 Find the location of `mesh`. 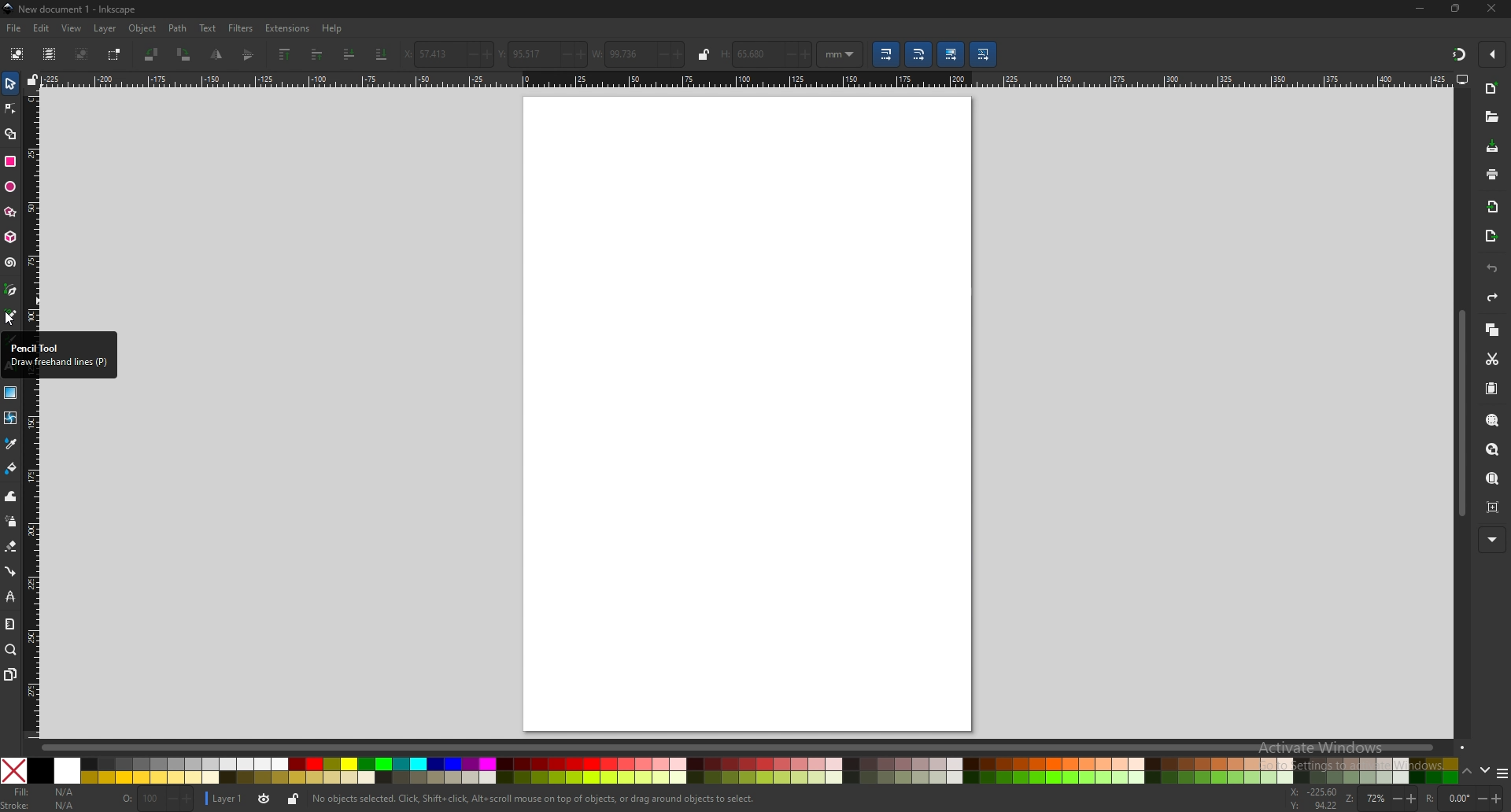

mesh is located at coordinates (11, 418).